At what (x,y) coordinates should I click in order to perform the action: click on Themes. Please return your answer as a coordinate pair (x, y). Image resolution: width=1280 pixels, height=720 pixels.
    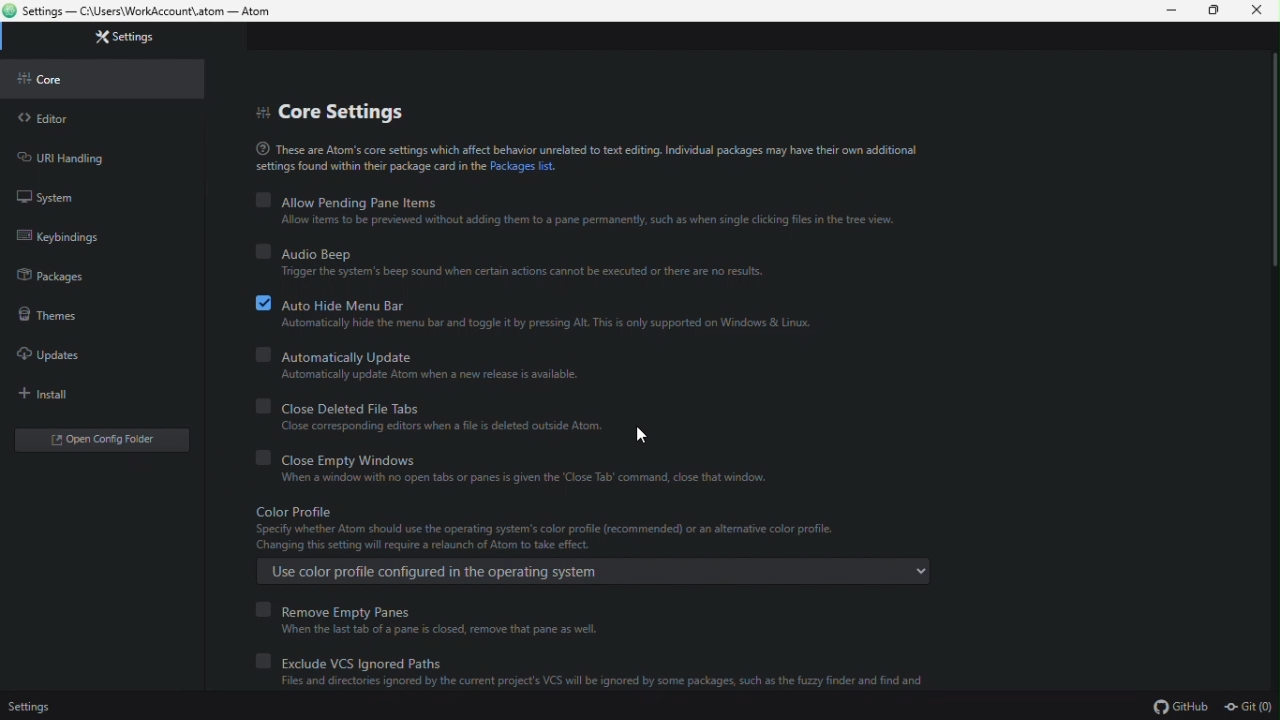
    Looking at the image, I should click on (51, 313).